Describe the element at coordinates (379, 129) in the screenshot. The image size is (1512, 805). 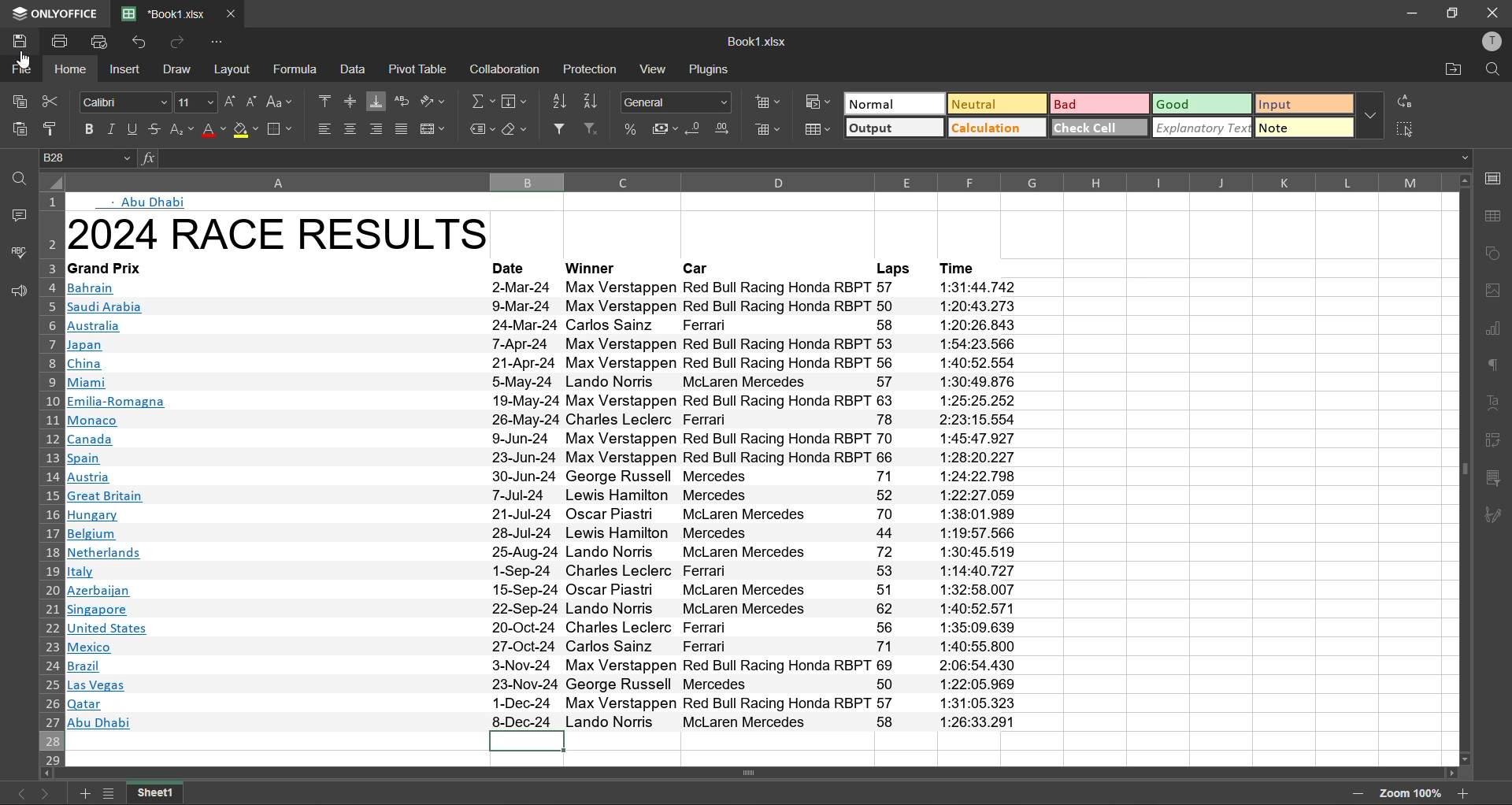
I see `align right` at that location.